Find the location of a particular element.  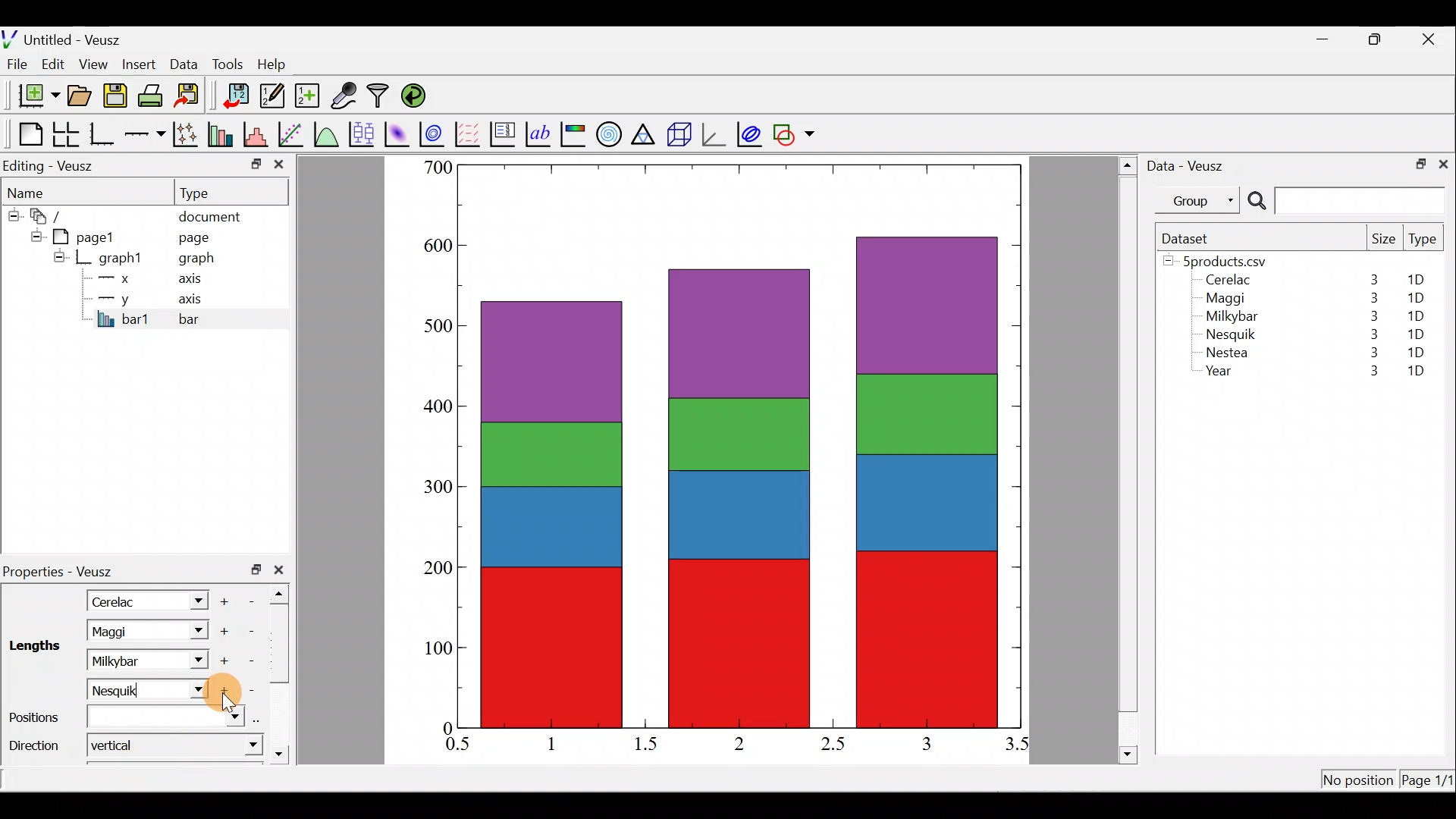

Positions is located at coordinates (123, 715).